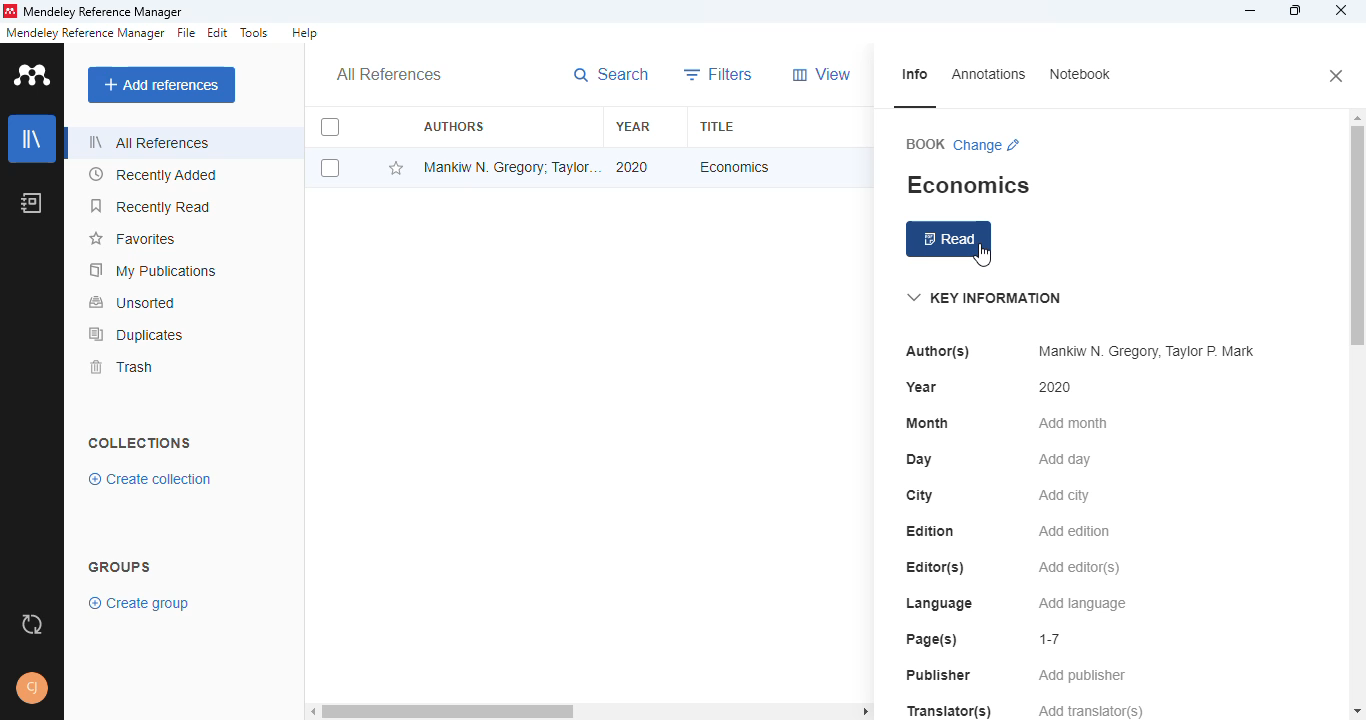 The image size is (1366, 720). Describe the element at coordinates (162, 85) in the screenshot. I see `add references` at that location.